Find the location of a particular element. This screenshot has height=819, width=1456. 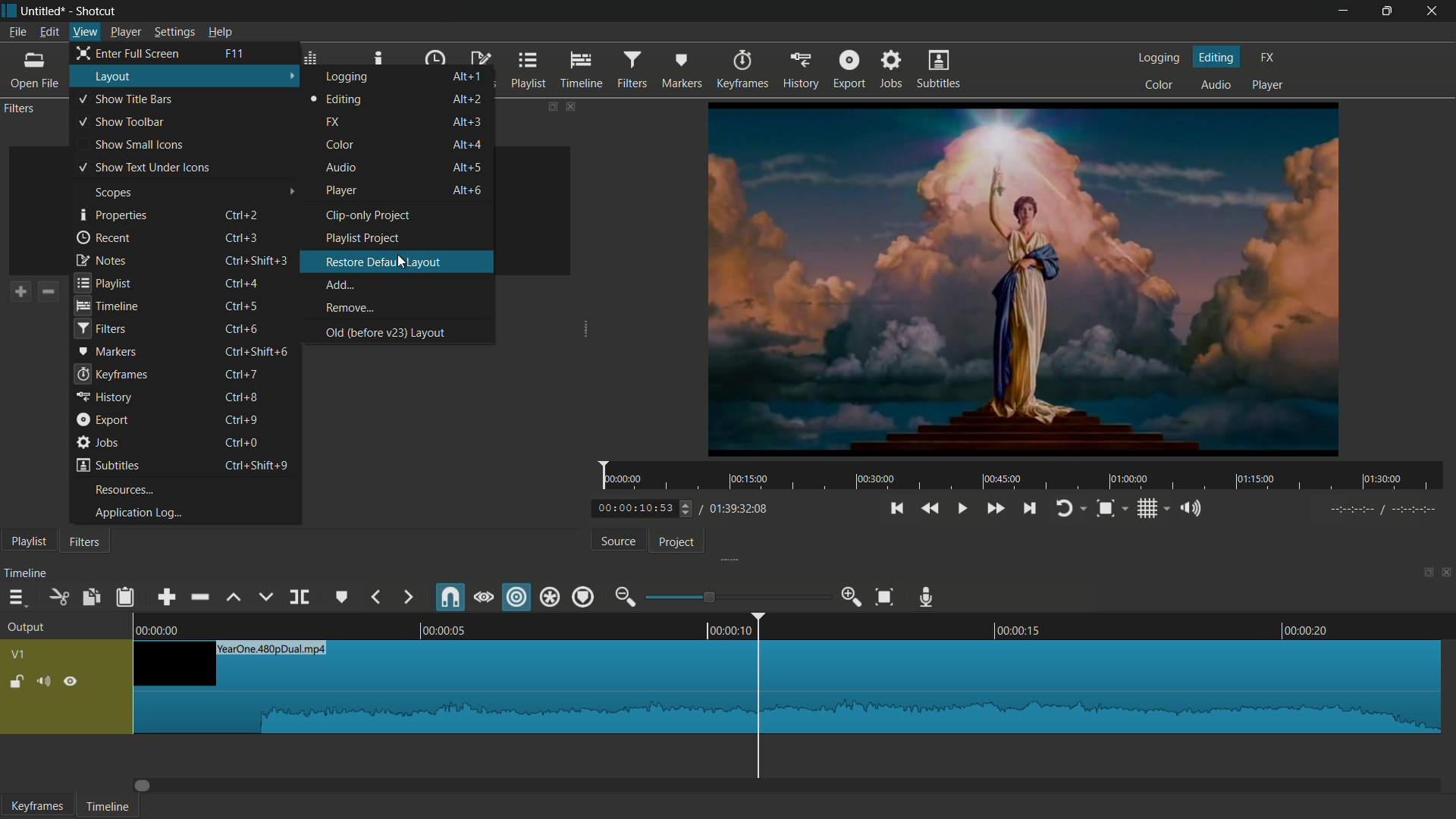

adjustment bar is located at coordinates (736, 597).